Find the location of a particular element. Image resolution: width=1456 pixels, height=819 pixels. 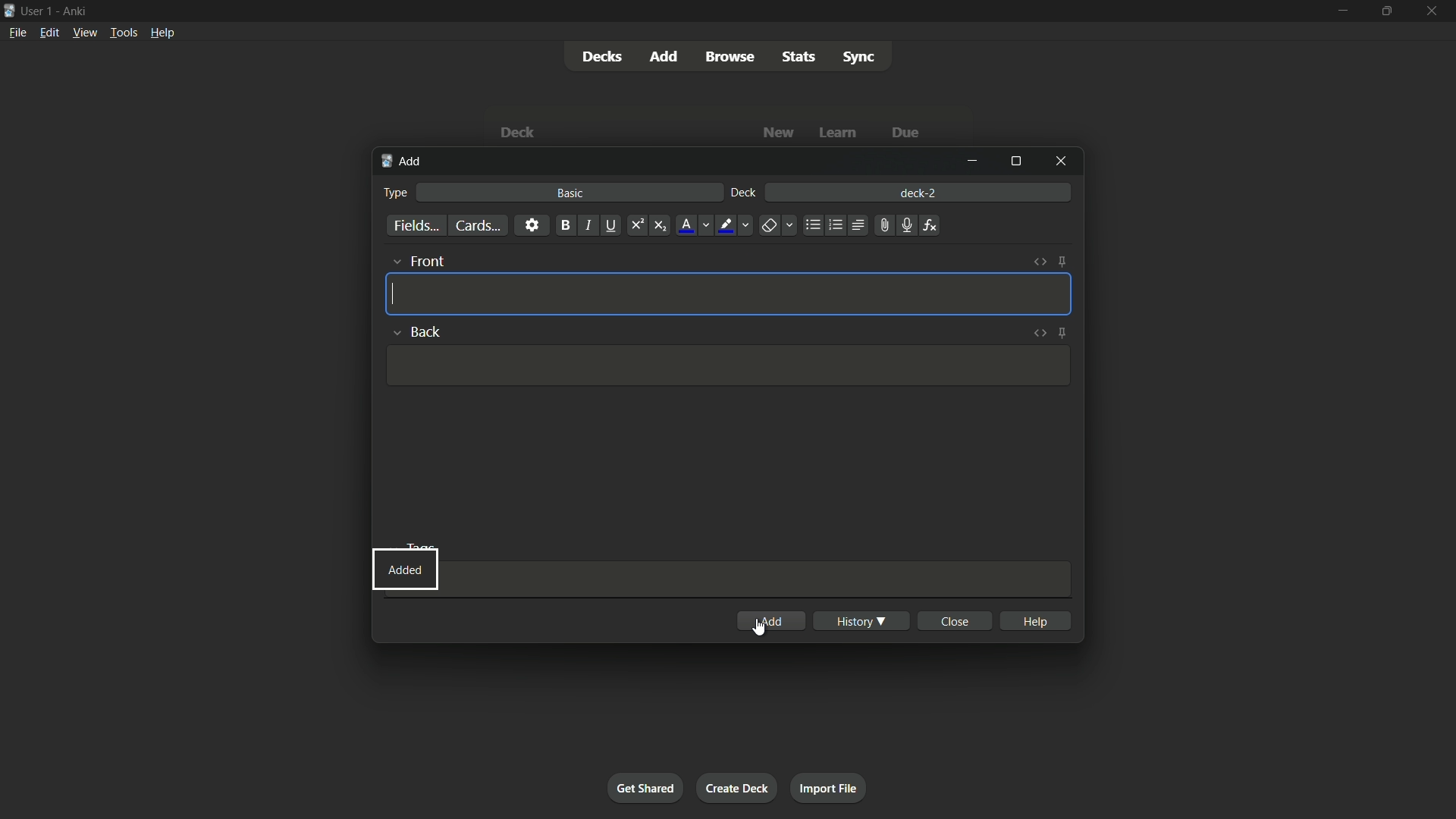

attach is located at coordinates (885, 224).